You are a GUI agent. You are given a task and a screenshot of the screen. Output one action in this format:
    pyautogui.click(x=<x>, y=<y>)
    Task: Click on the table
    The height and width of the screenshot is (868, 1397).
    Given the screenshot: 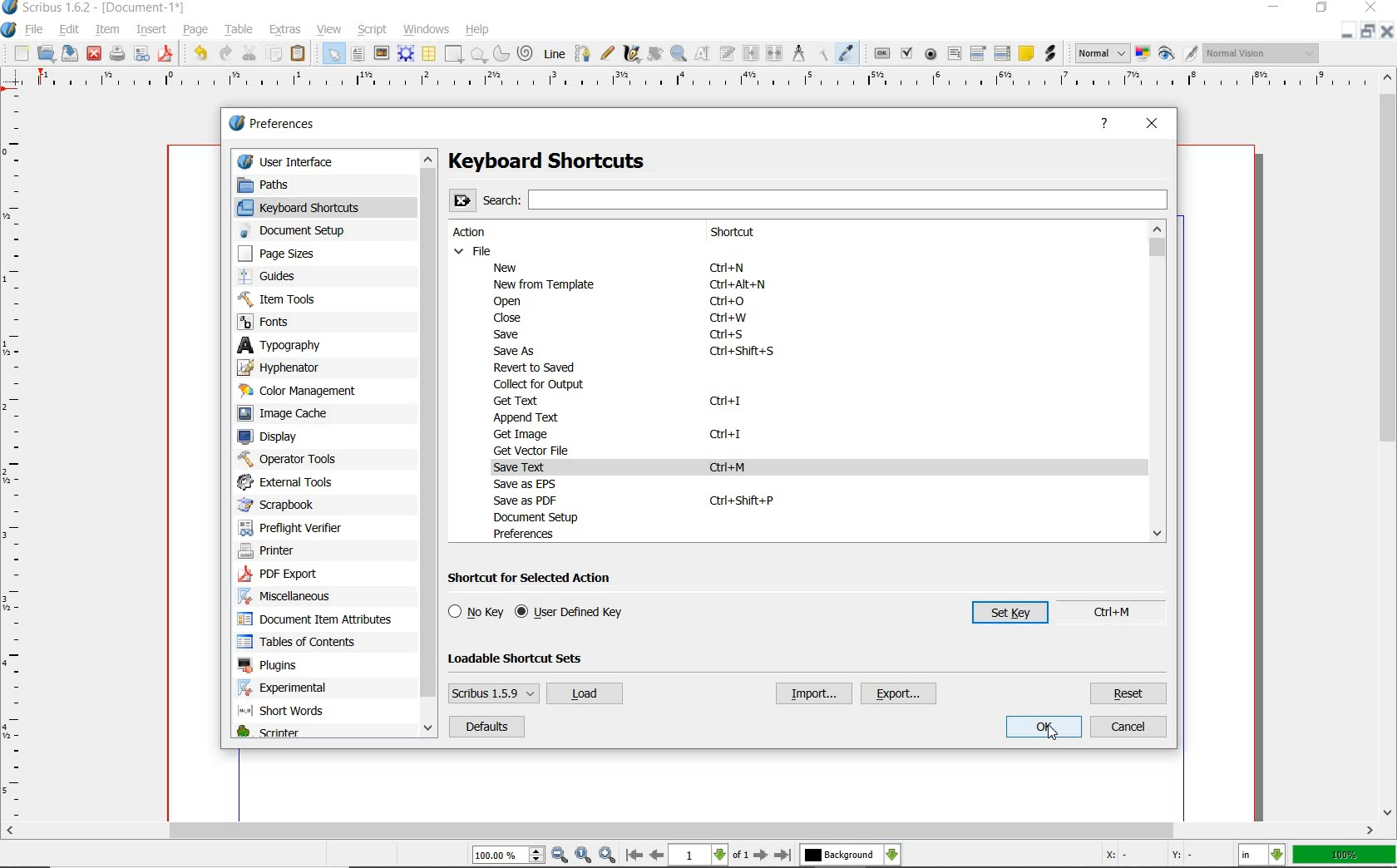 What is the action you would take?
    pyautogui.click(x=241, y=28)
    